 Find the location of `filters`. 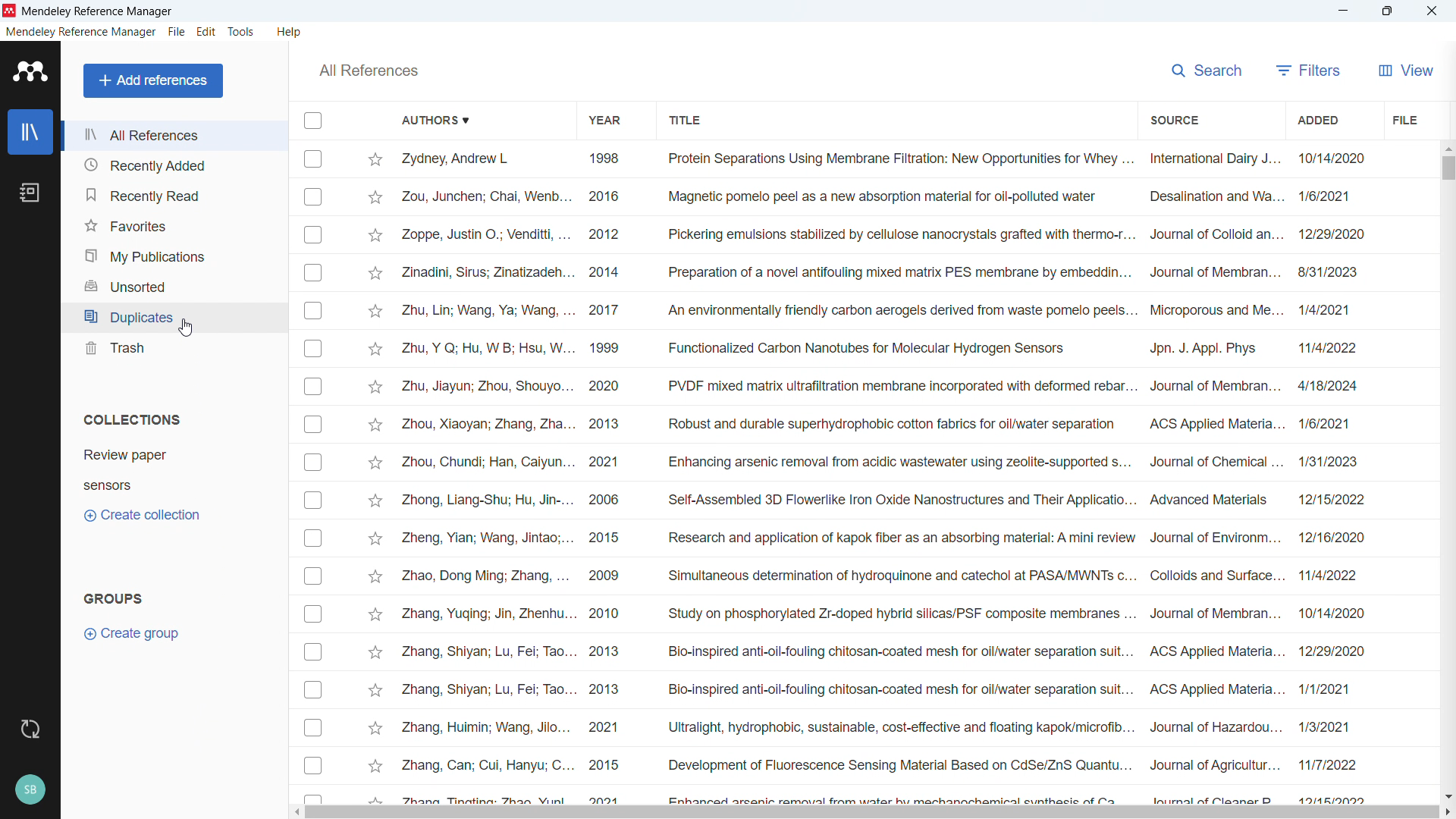

filters is located at coordinates (1306, 71).